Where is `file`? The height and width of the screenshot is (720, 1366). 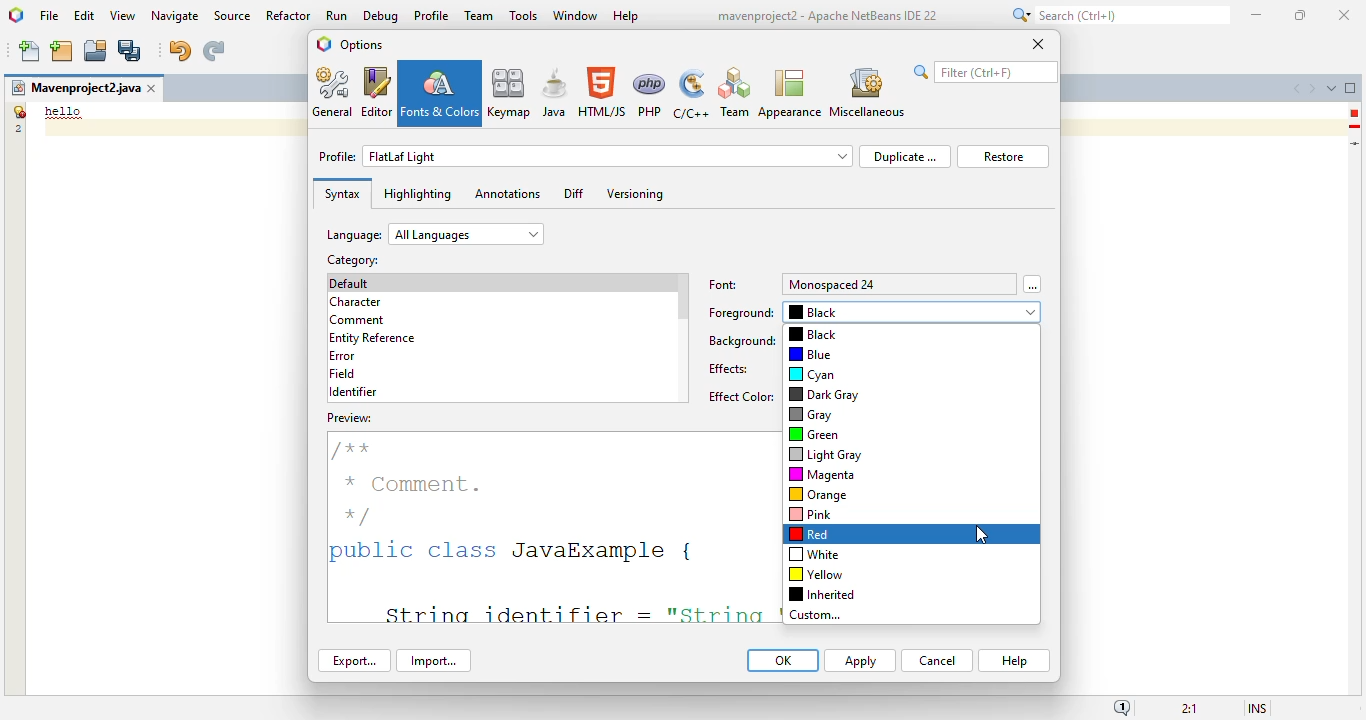
file is located at coordinates (49, 17).